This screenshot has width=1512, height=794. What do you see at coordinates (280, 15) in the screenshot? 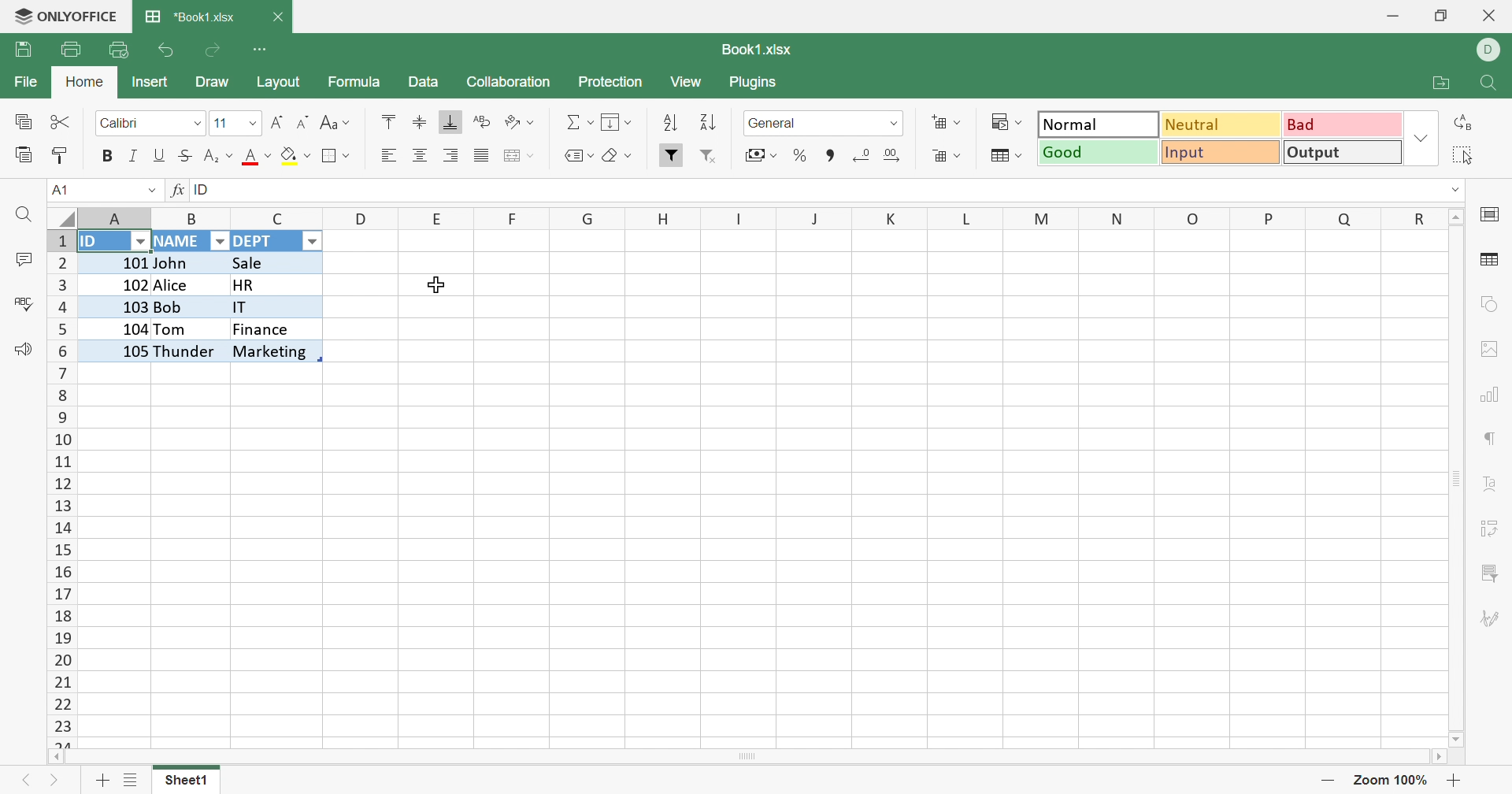
I see `Close` at bounding box center [280, 15].